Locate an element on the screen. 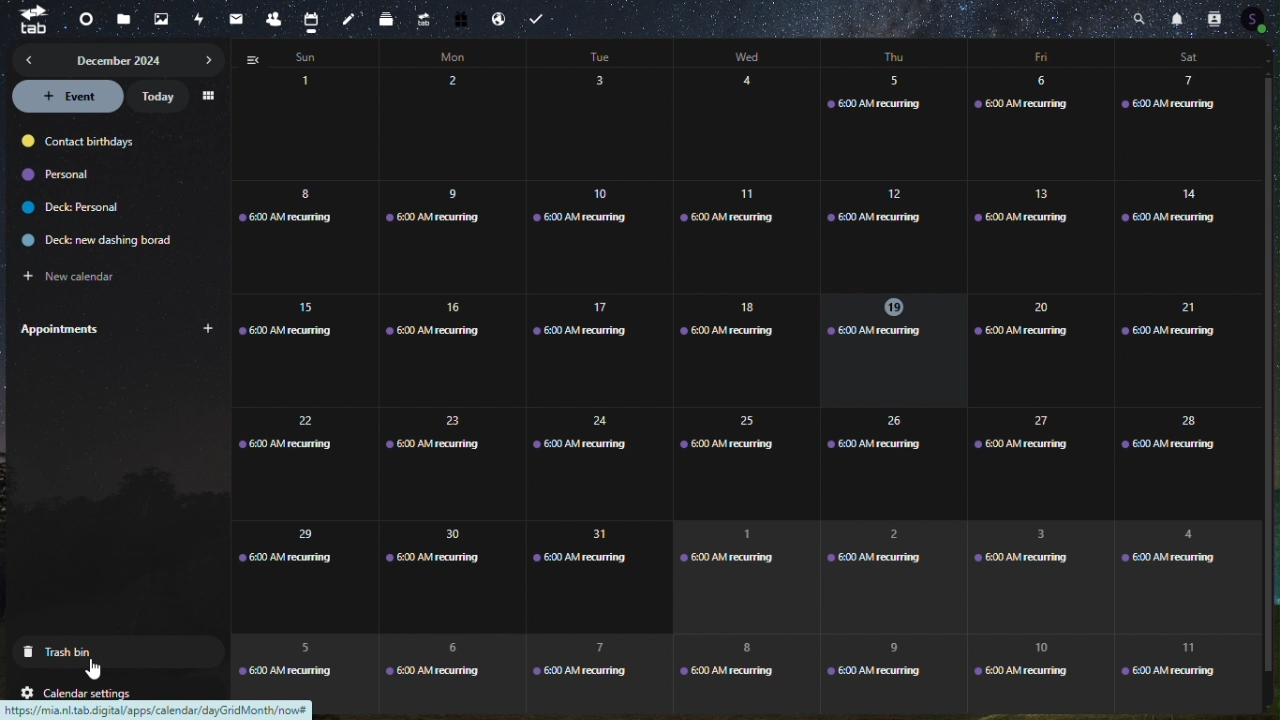  16 is located at coordinates (442, 349).